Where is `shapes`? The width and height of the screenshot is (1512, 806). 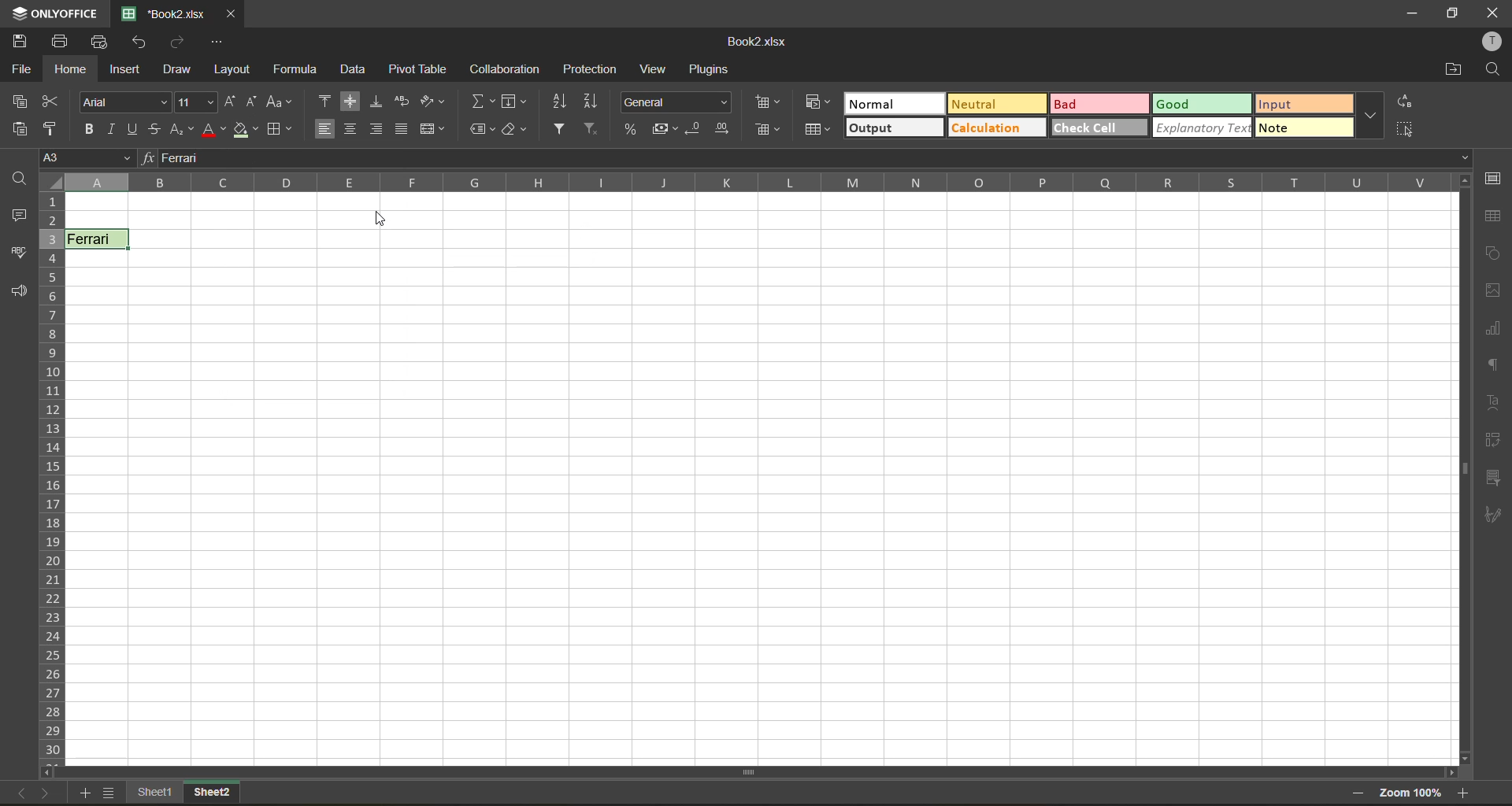 shapes is located at coordinates (1494, 253).